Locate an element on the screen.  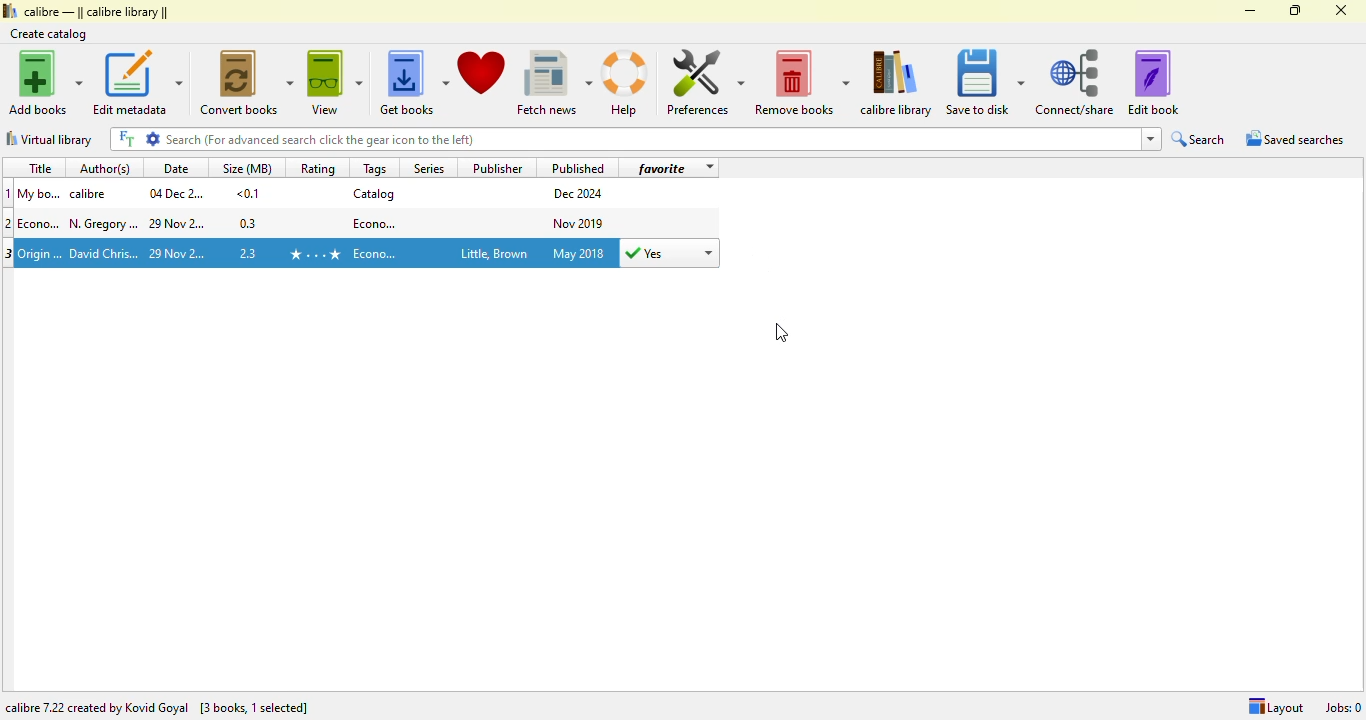
catalog is located at coordinates (374, 193).